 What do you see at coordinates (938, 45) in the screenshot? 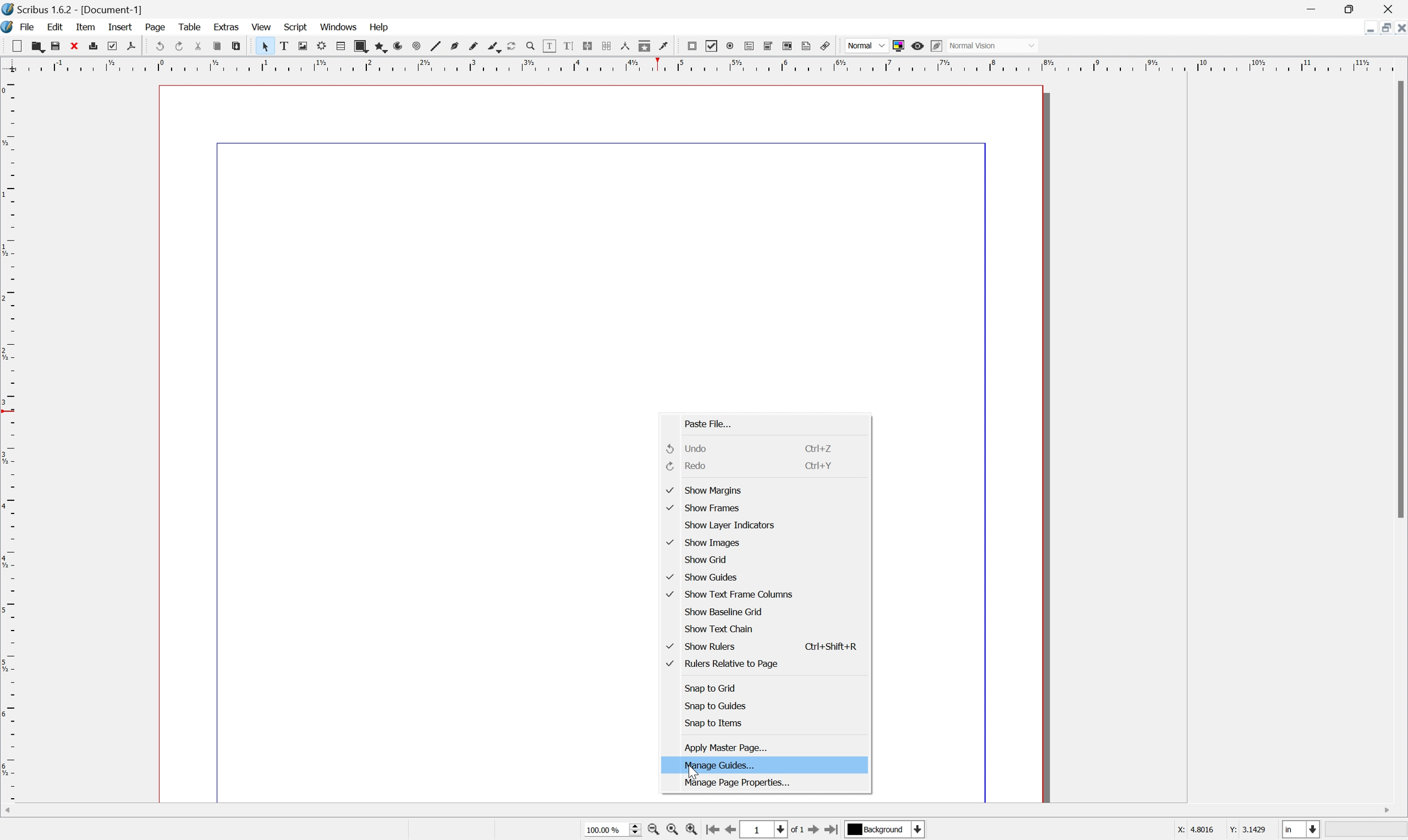
I see `edit in preview mode` at bounding box center [938, 45].